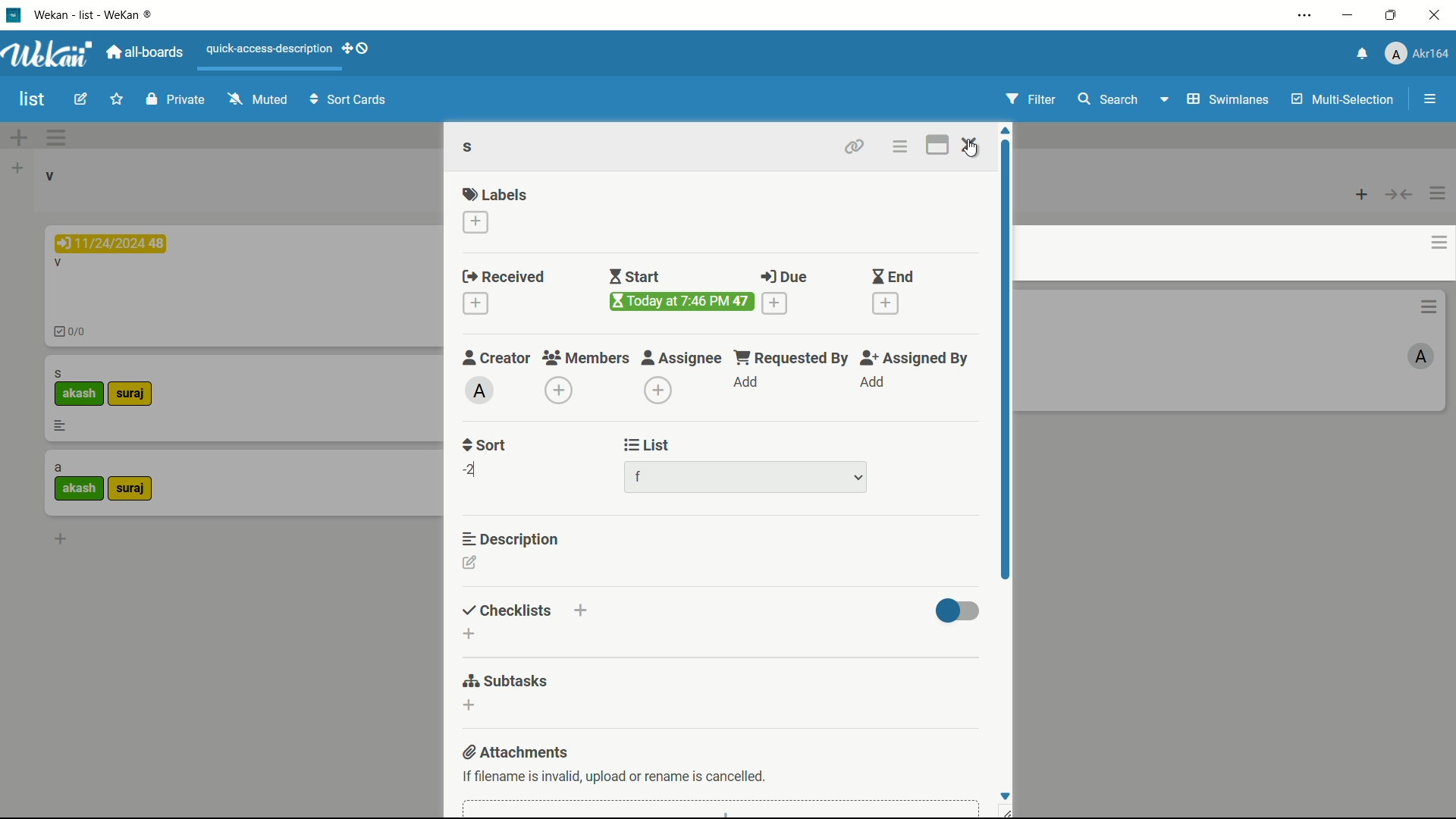  Describe the element at coordinates (131, 394) in the screenshot. I see `label-2` at that location.